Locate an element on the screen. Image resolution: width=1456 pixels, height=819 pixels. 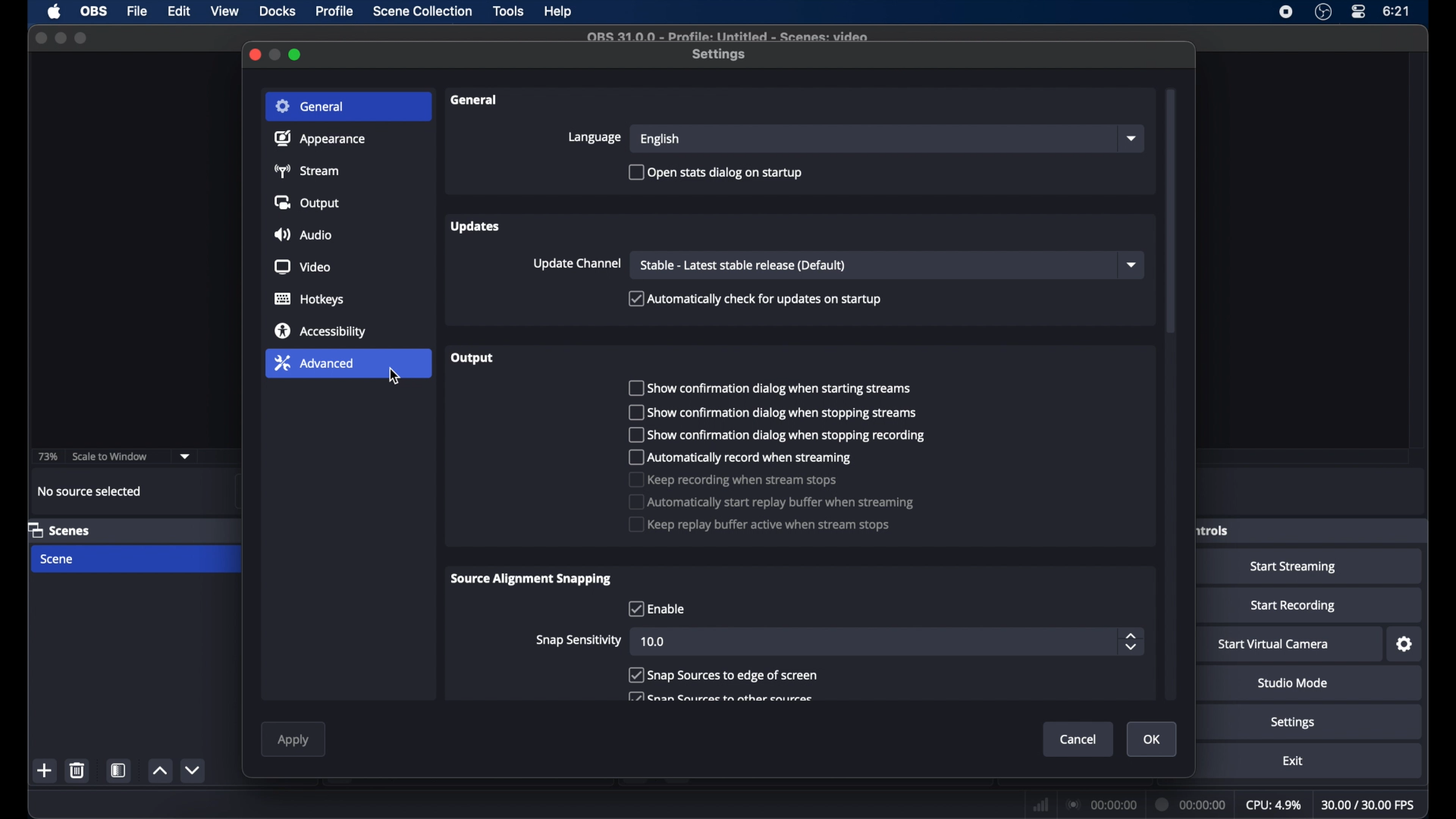
obs is located at coordinates (96, 11).